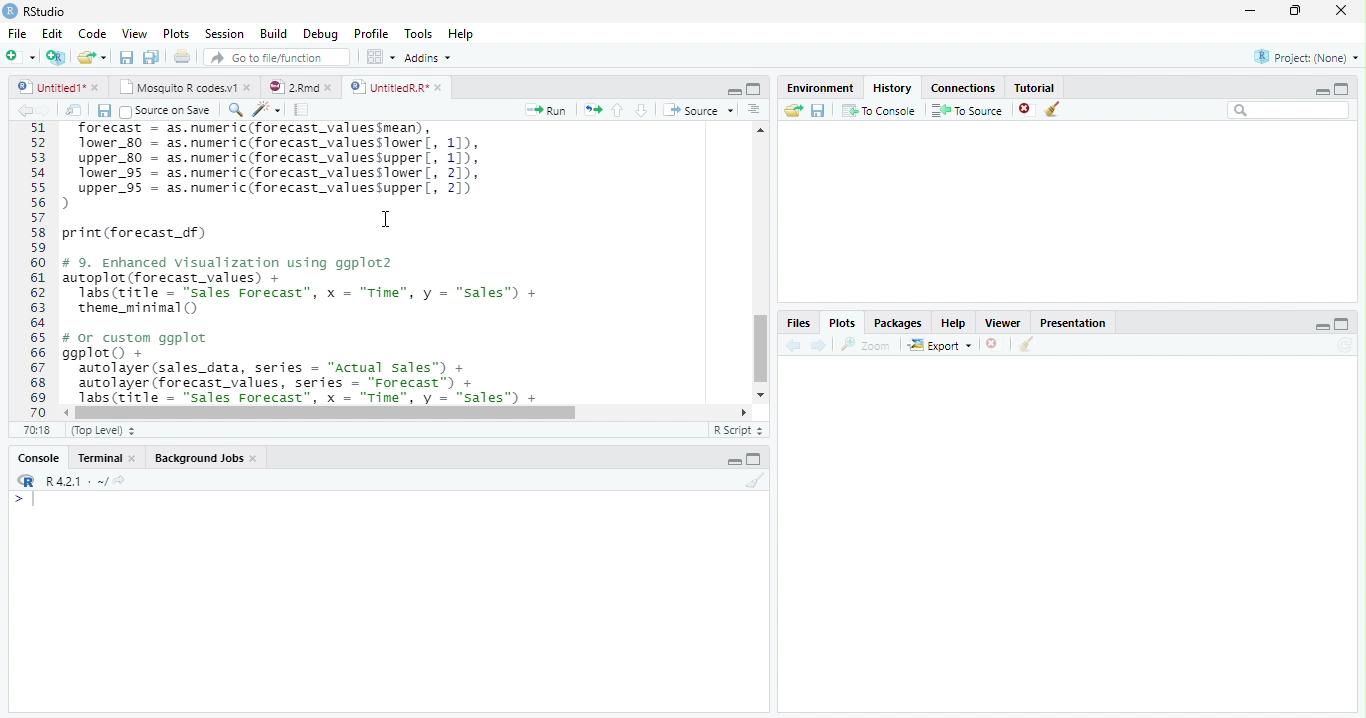 This screenshot has width=1366, height=718. What do you see at coordinates (1034, 88) in the screenshot?
I see `Tutorial` at bounding box center [1034, 88].